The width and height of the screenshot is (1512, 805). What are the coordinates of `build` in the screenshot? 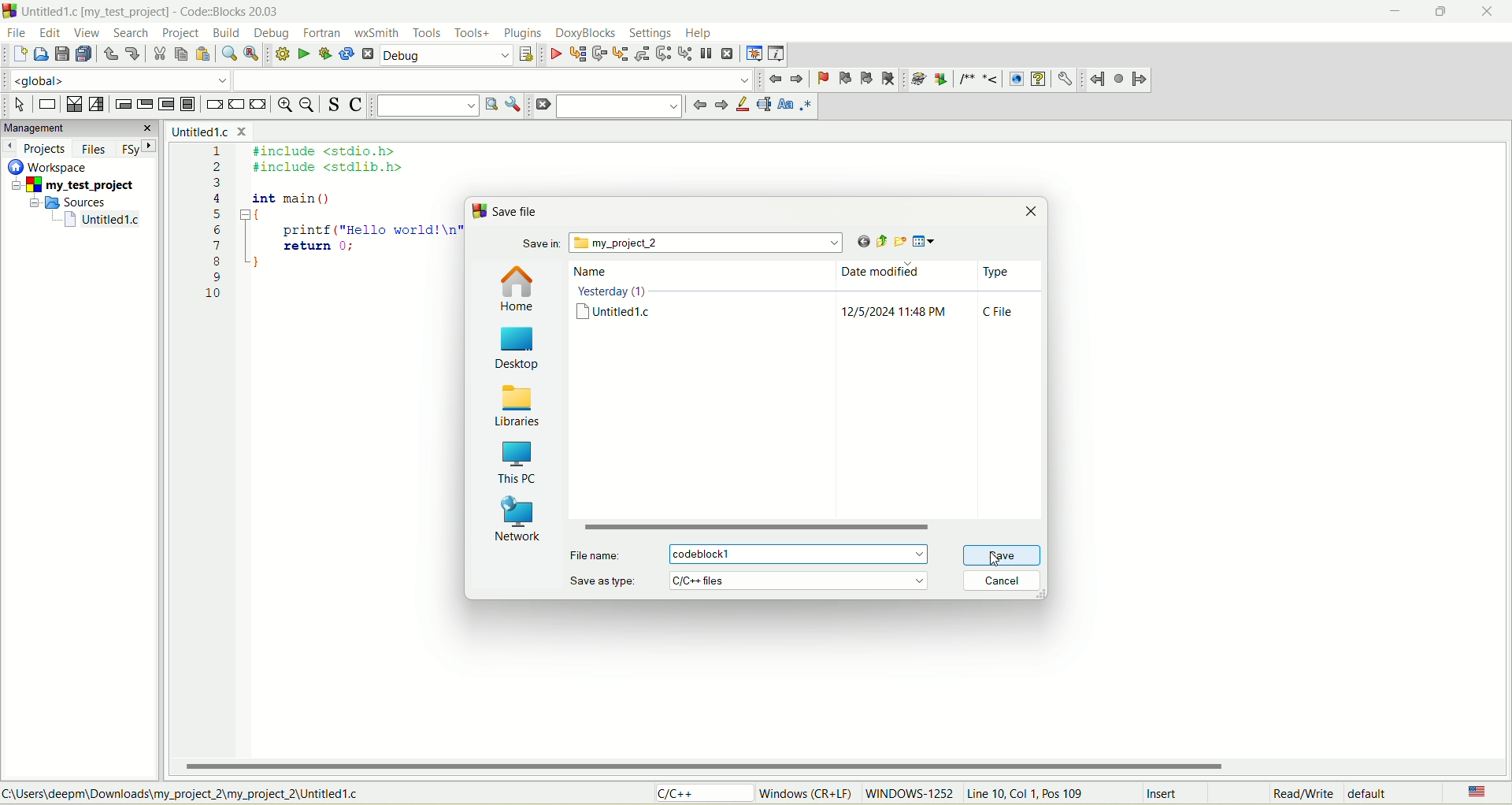 It's located at (280, 53).